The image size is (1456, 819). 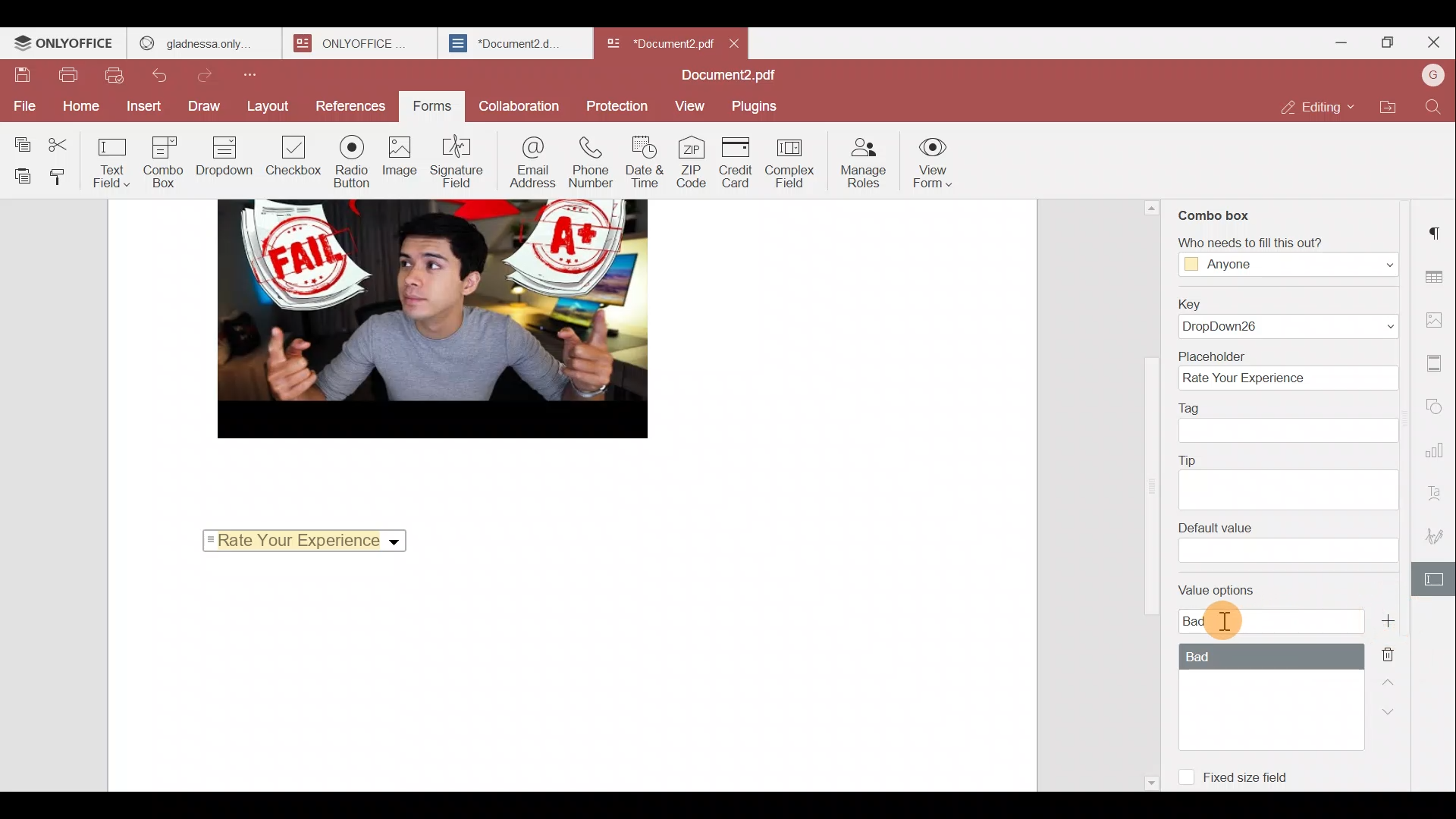 I want to click on Close, so click(x=736, y=41).